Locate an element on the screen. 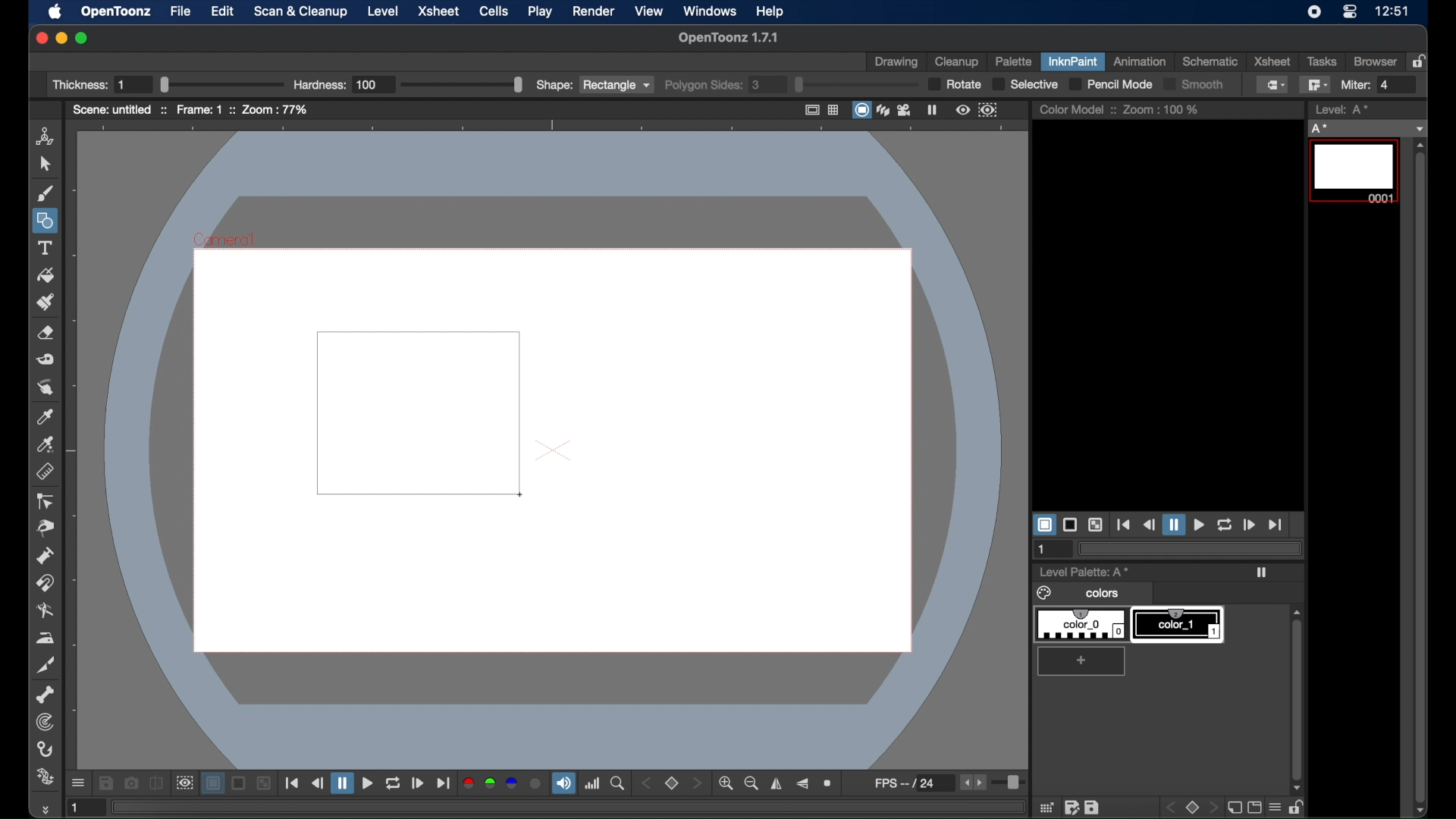 Image resolution: width=1456 pixels, height=819 pixels. picker tool is located at coordinates (46, 444).